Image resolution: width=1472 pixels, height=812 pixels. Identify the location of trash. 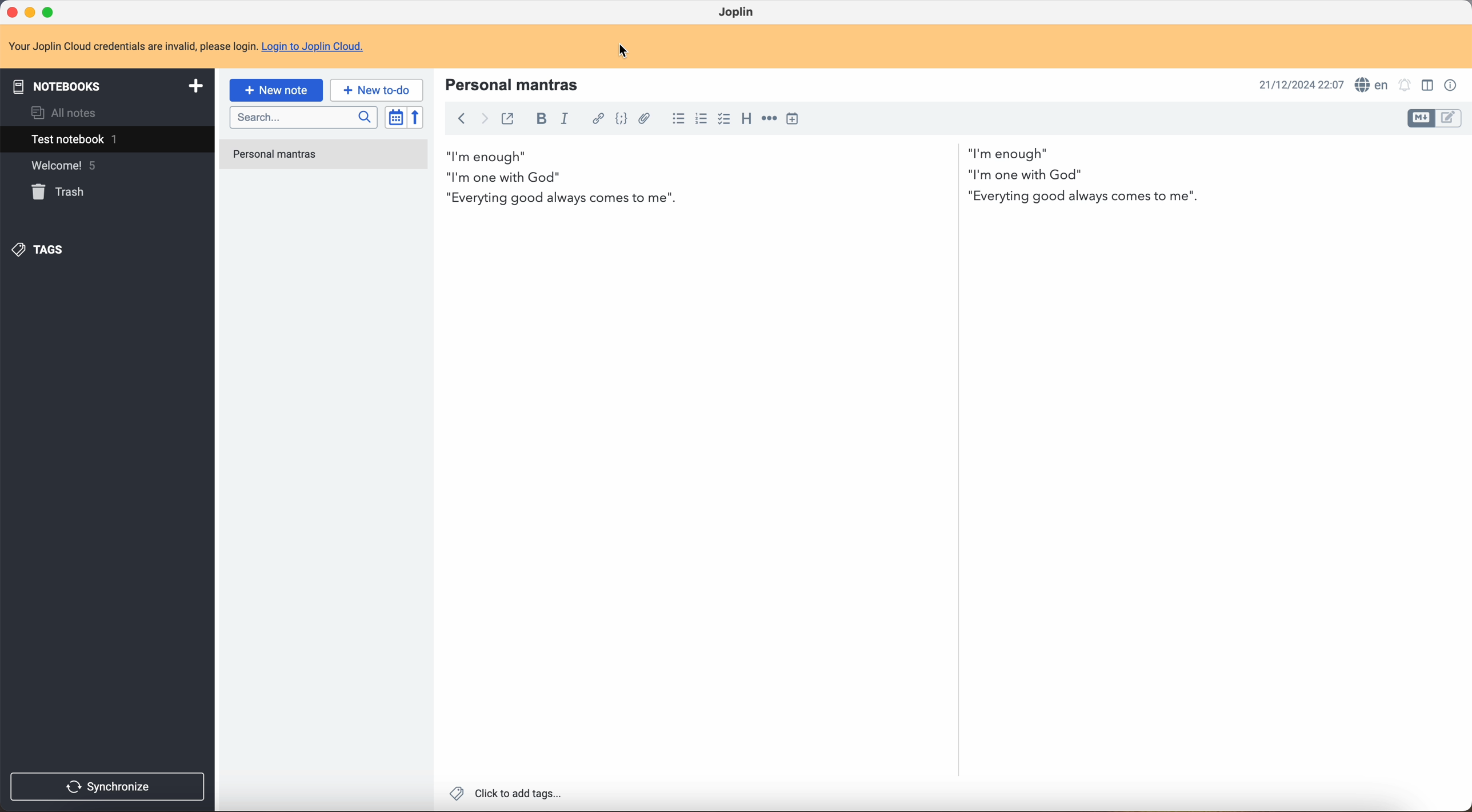
(59, 193).